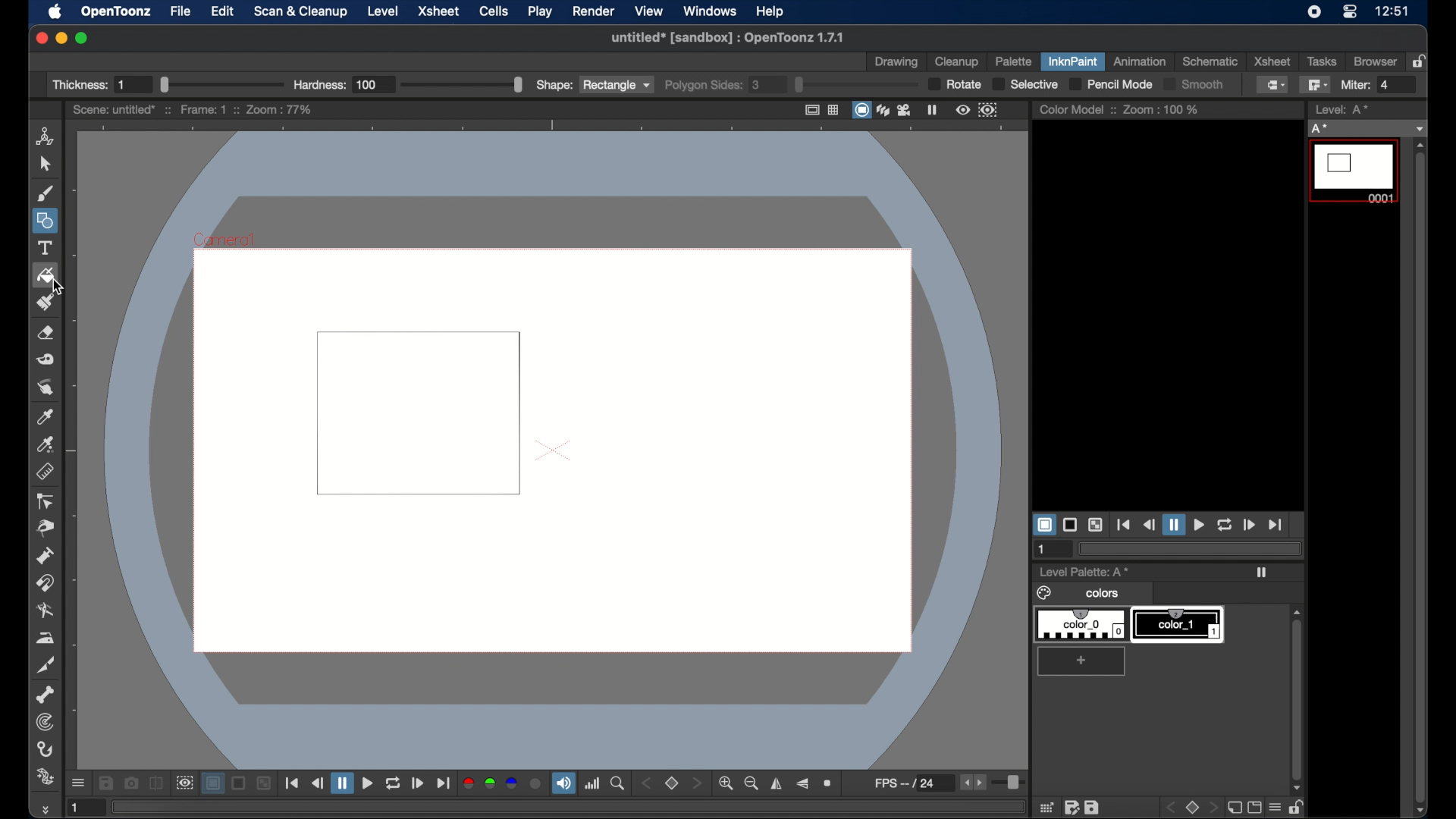 The width and height of the screenshot is (1456, 819). What do you see at coordinates (45, 639) in the screenshot?
I see `iron tool` at bounding box center [45, 639].